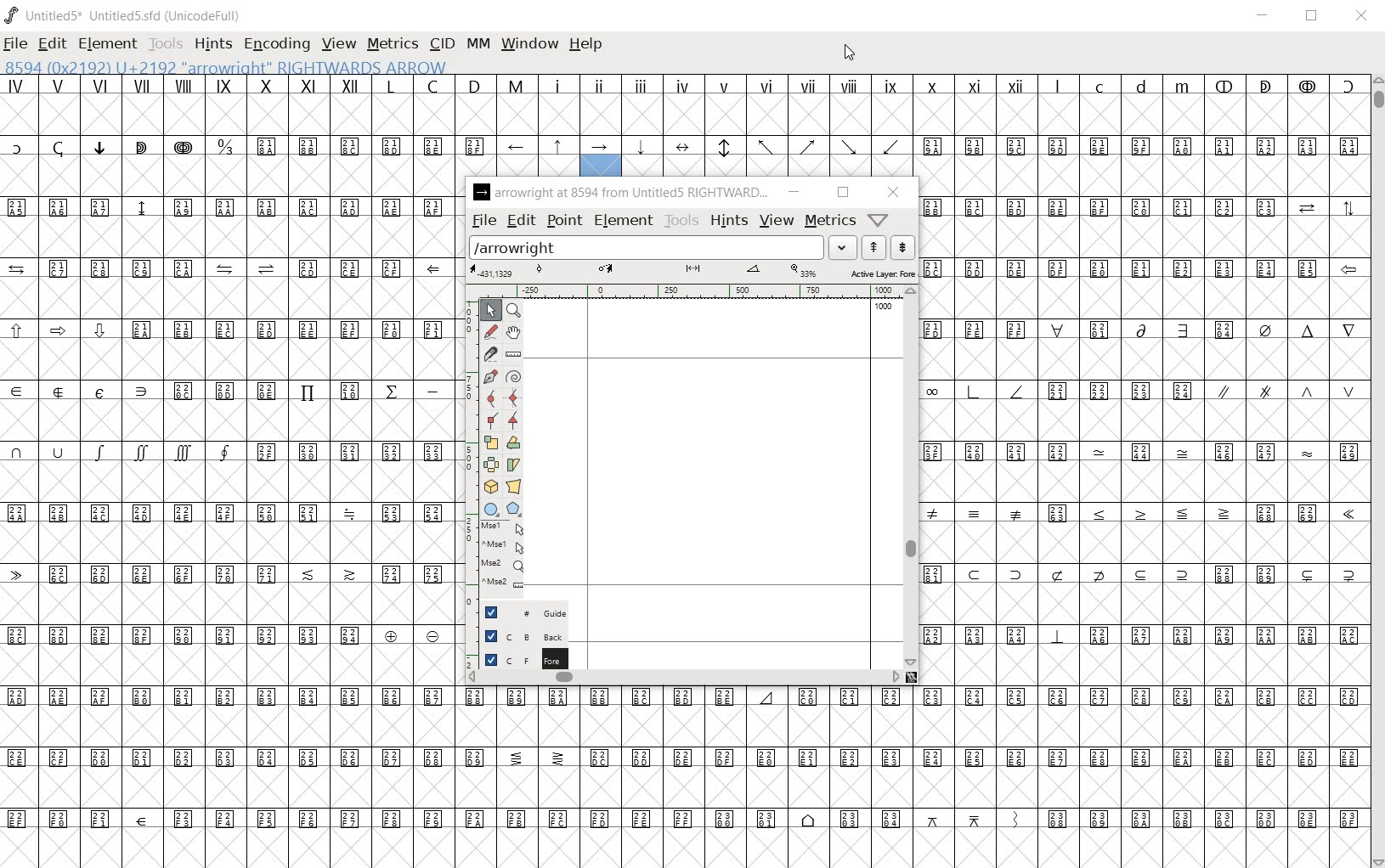 This screenshot has height=868, width=1385. Describe the element at coordinates (778, 220) in the screenshot. I see `view` at that location.